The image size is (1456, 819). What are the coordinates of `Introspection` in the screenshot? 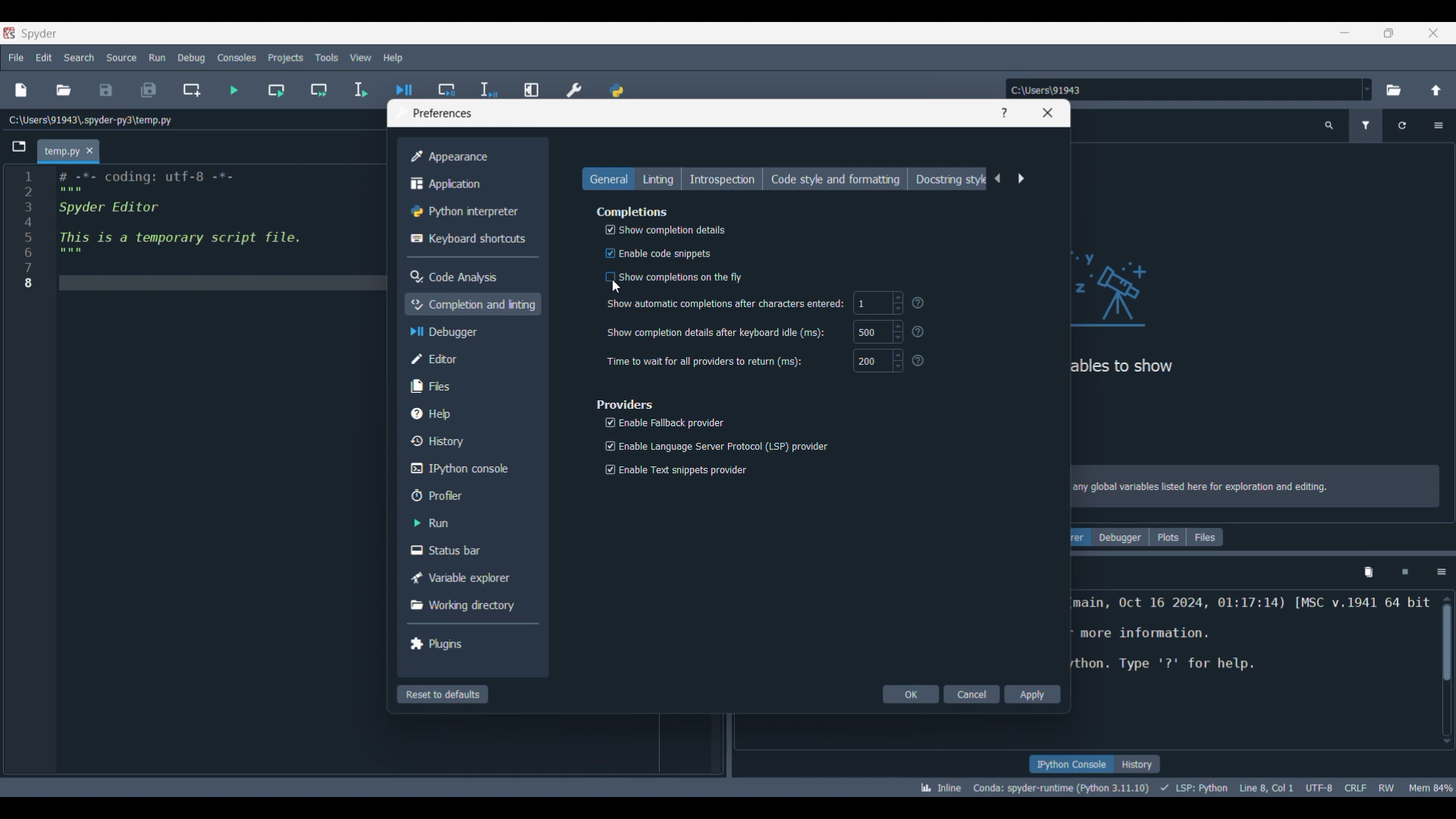 It's located at (722, 178).